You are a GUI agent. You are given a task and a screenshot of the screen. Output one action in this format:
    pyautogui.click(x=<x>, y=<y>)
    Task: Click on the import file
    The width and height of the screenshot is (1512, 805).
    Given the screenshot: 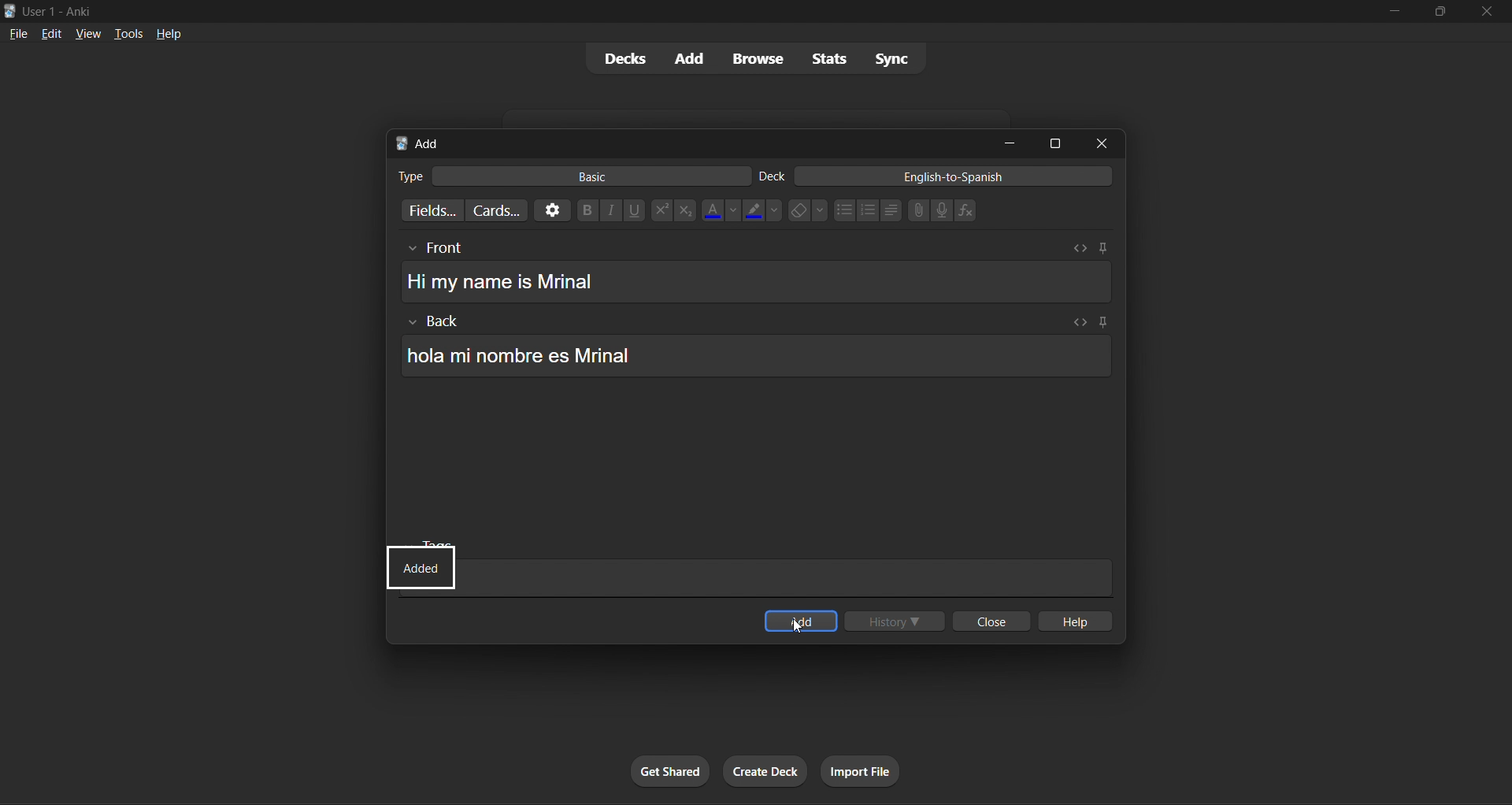 What is the action you would take?
    pyautogui.click(x=863, y=770)
    